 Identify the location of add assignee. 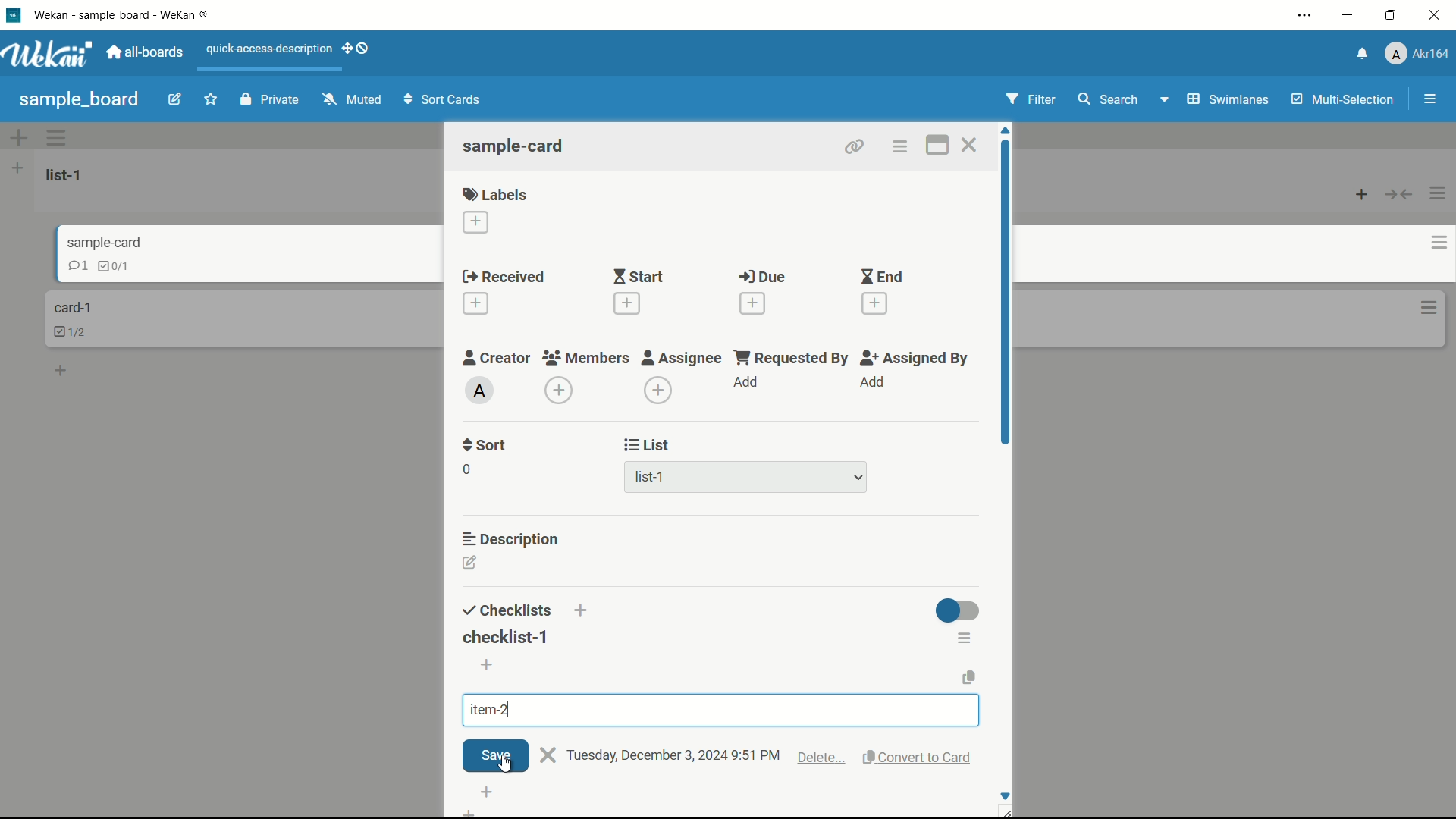
(872, 381).